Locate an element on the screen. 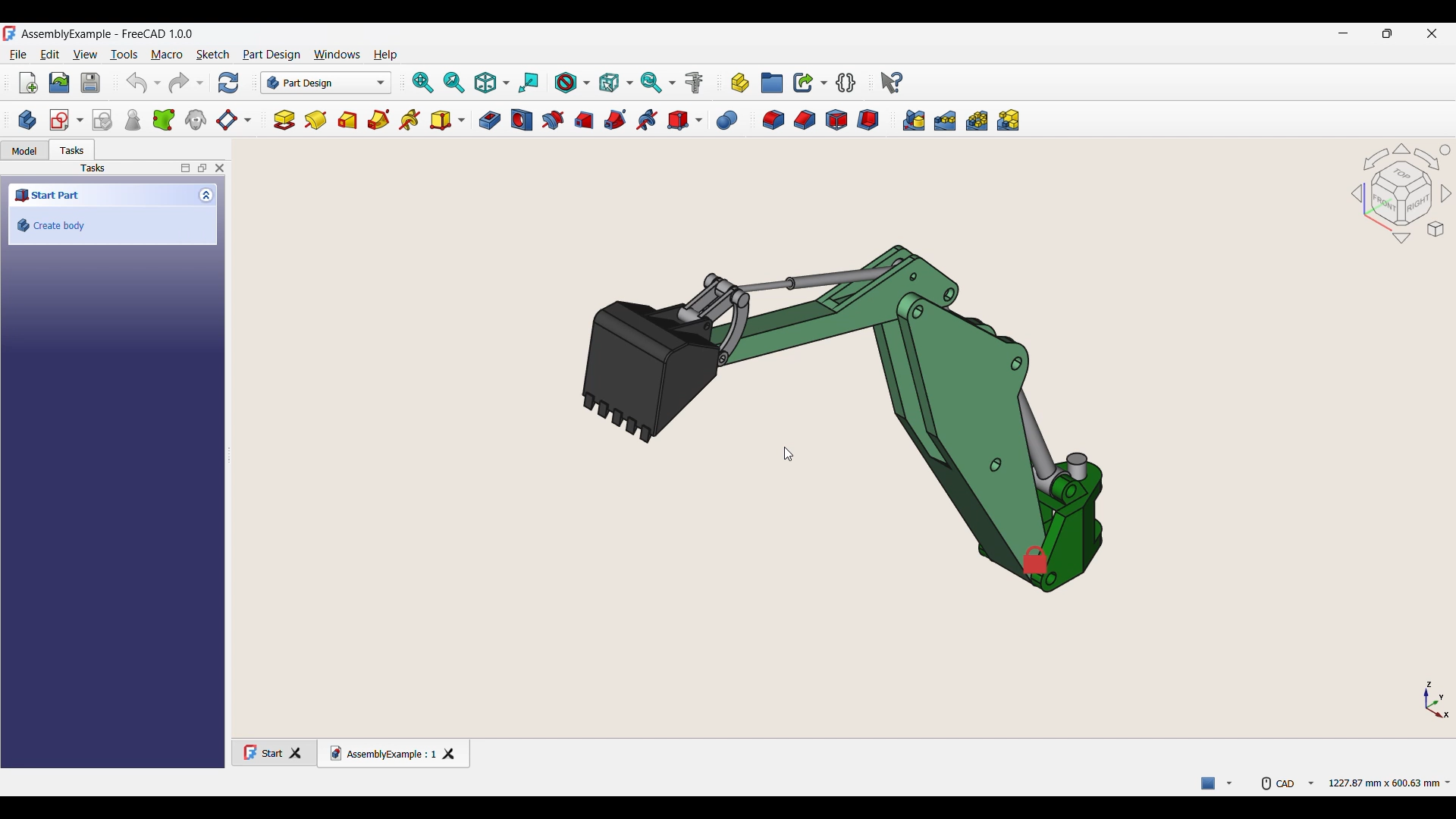 This screenshot has width=1456, height=819. Measure is located at coordinates (697, 83).